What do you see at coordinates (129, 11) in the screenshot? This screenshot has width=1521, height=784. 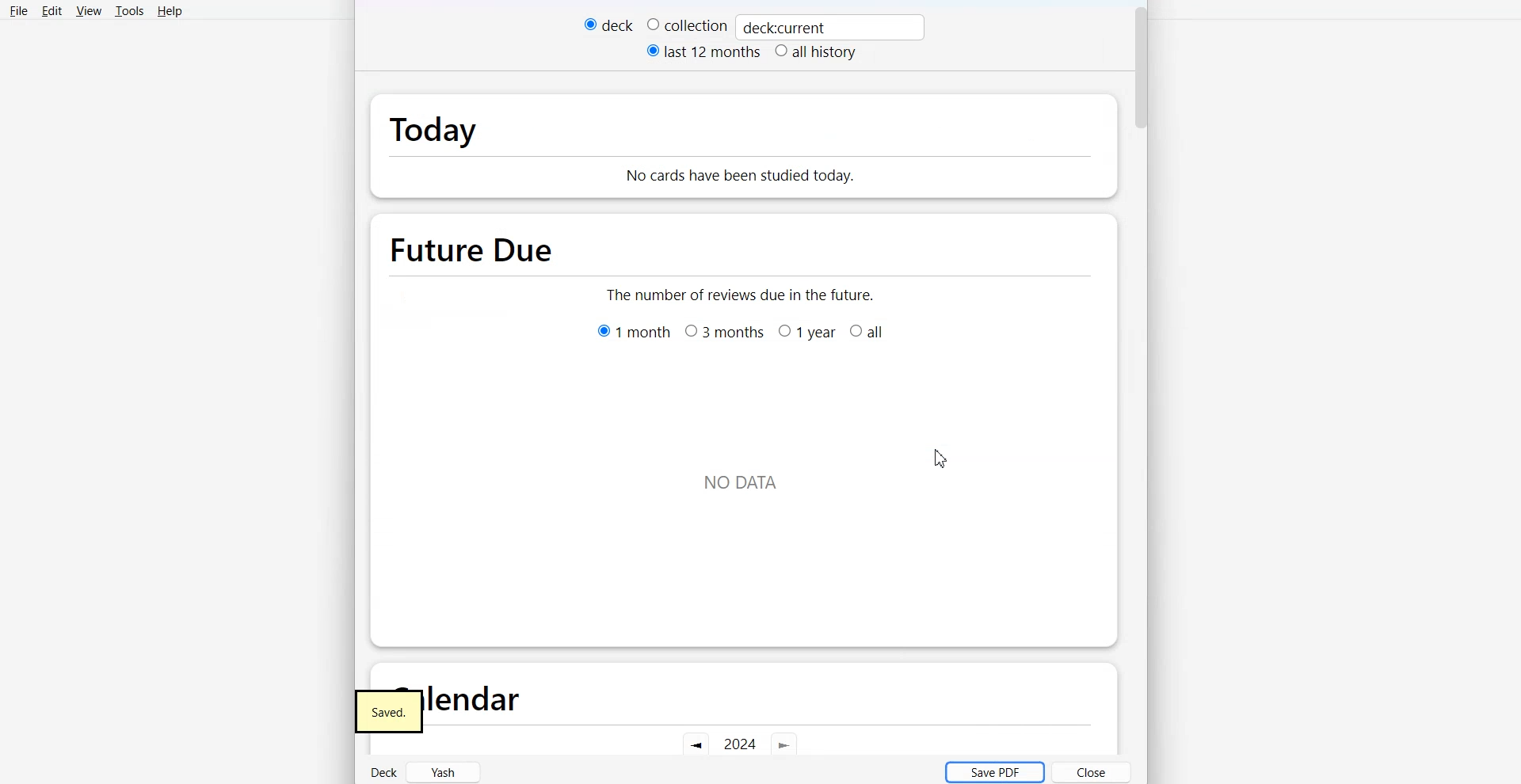 I see `Tools` at bounding box center [129, 11].